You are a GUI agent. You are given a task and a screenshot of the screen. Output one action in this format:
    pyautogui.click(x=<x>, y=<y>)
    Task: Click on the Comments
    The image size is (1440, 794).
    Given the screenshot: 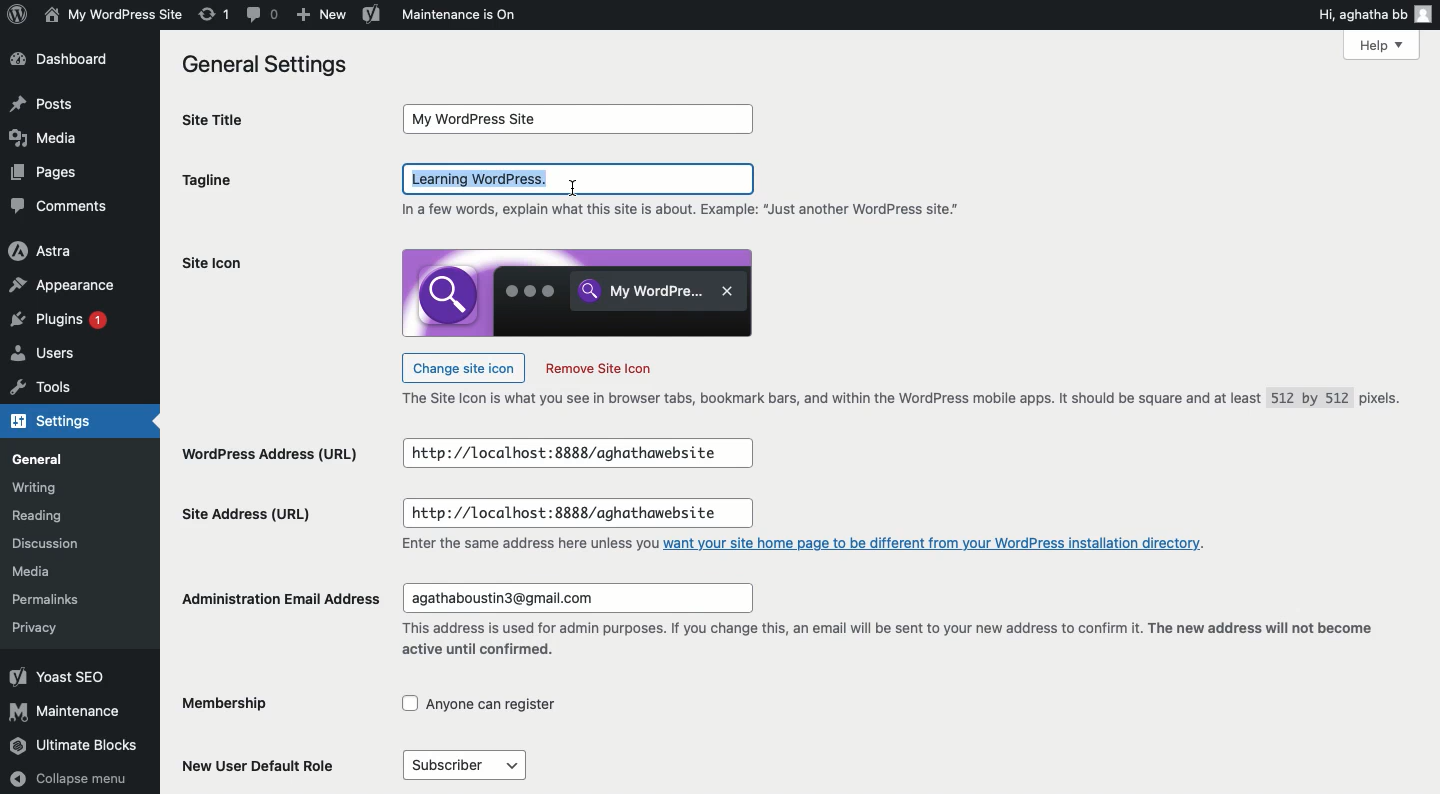 What is the action you would take?
    pyautogui.click(x=60, y=206)
    